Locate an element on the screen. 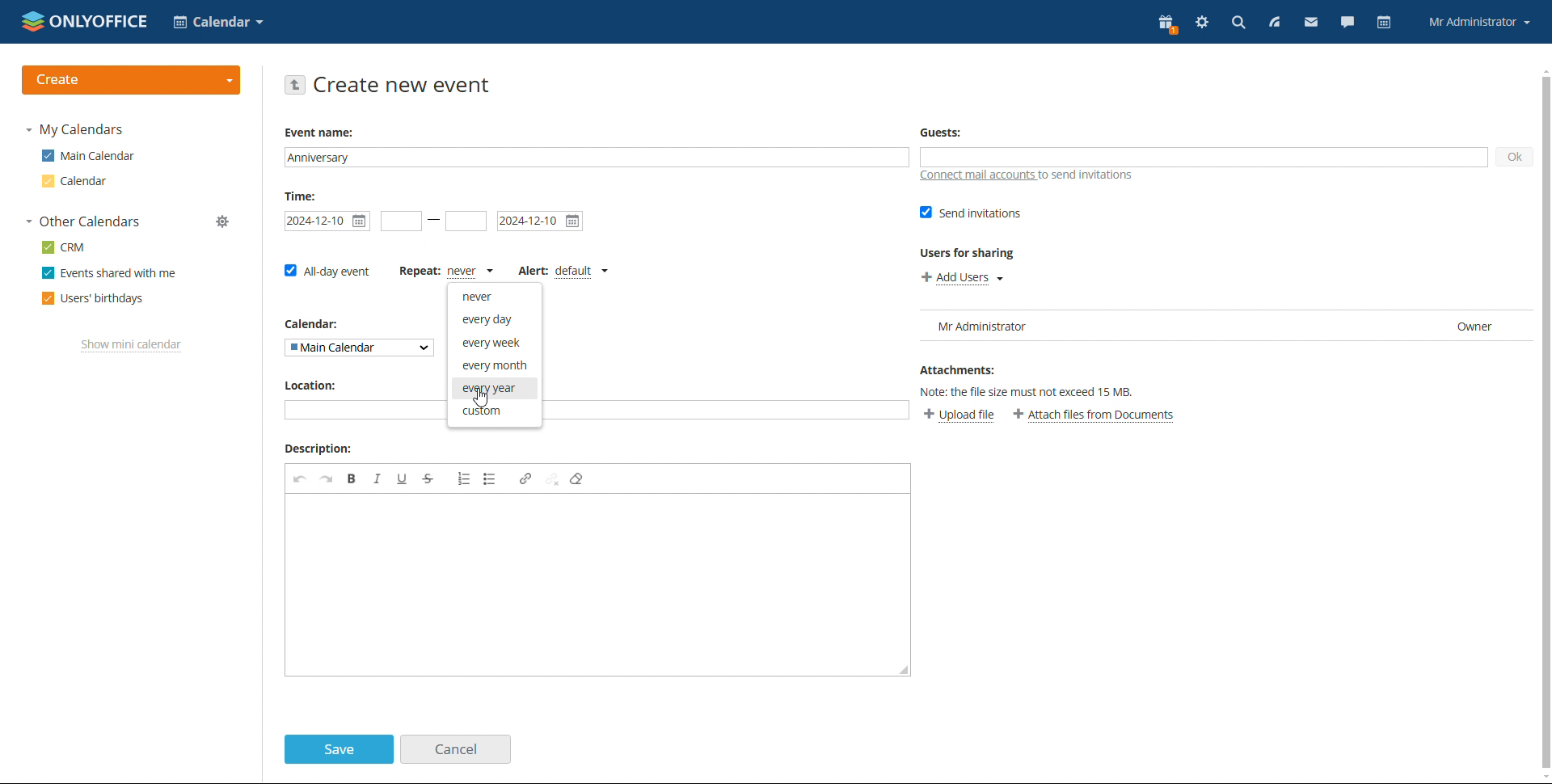 The height and width of the screenshot is (784, 1552). Calendar: is located at coordinates (306, 322).